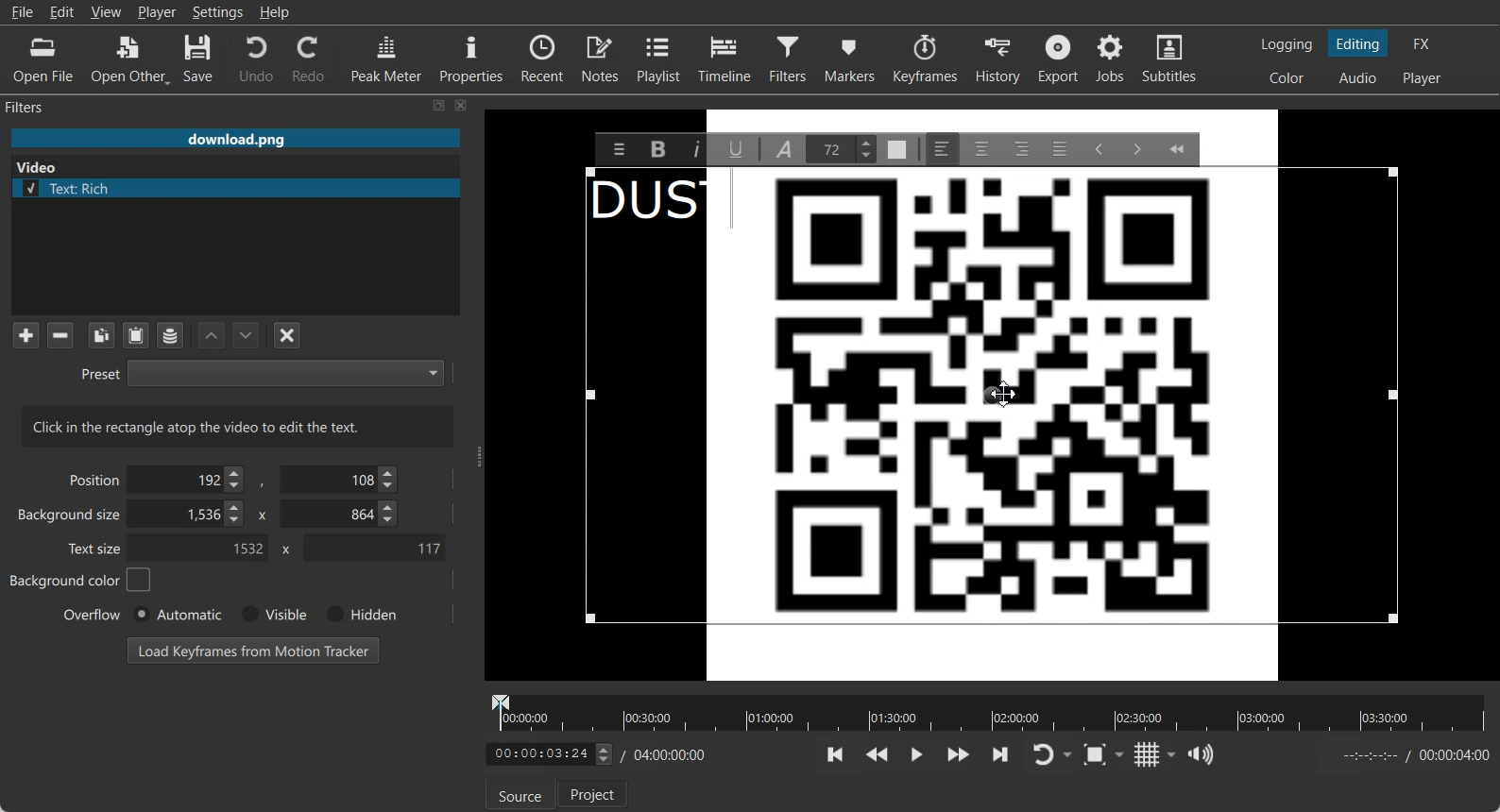 This screenshot has width=1500, height=812. I want to click on Close, so click(462, 105).